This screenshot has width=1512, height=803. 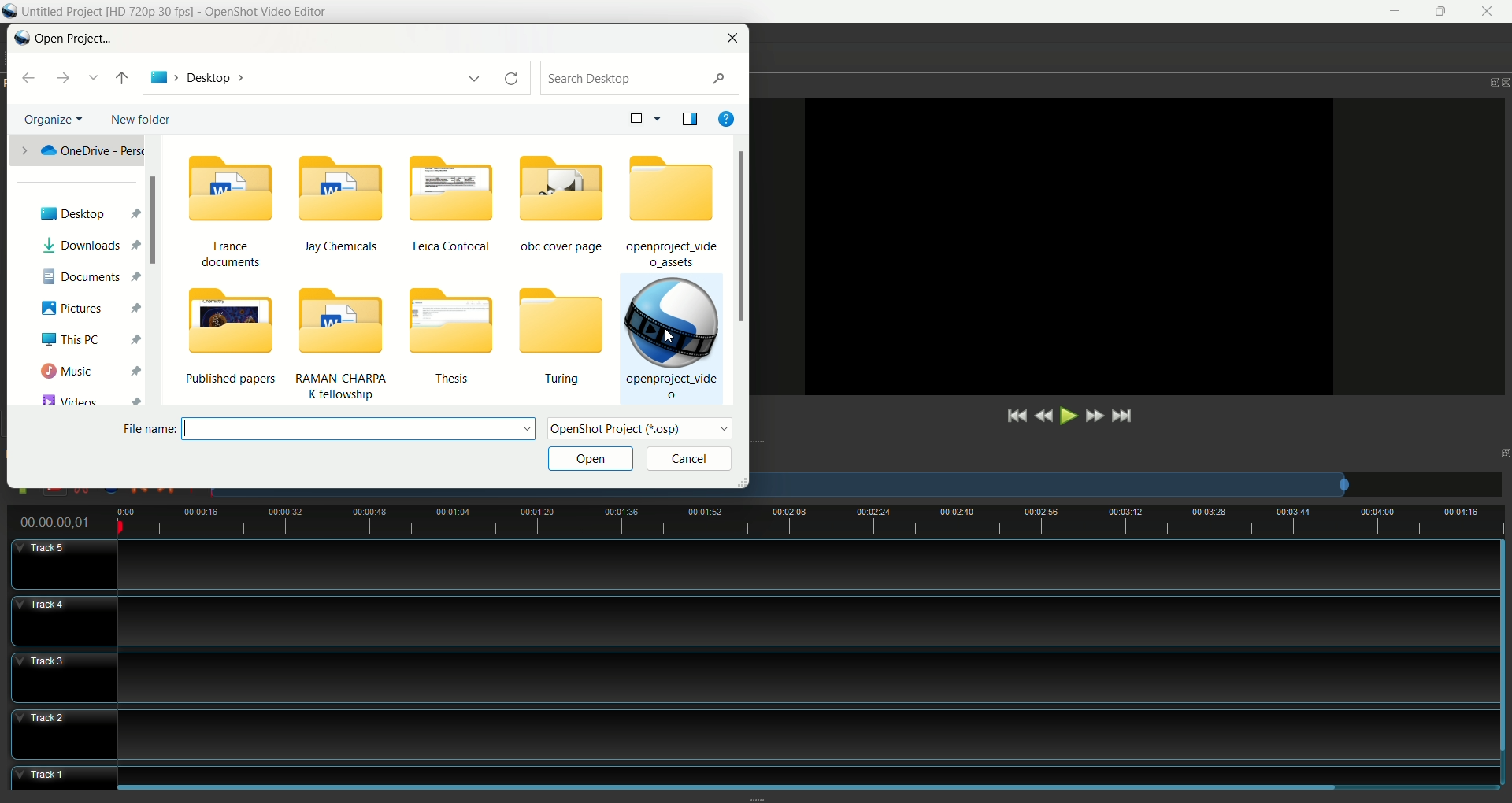 I want to click on >Desktop >, so click(x=318, y=79).